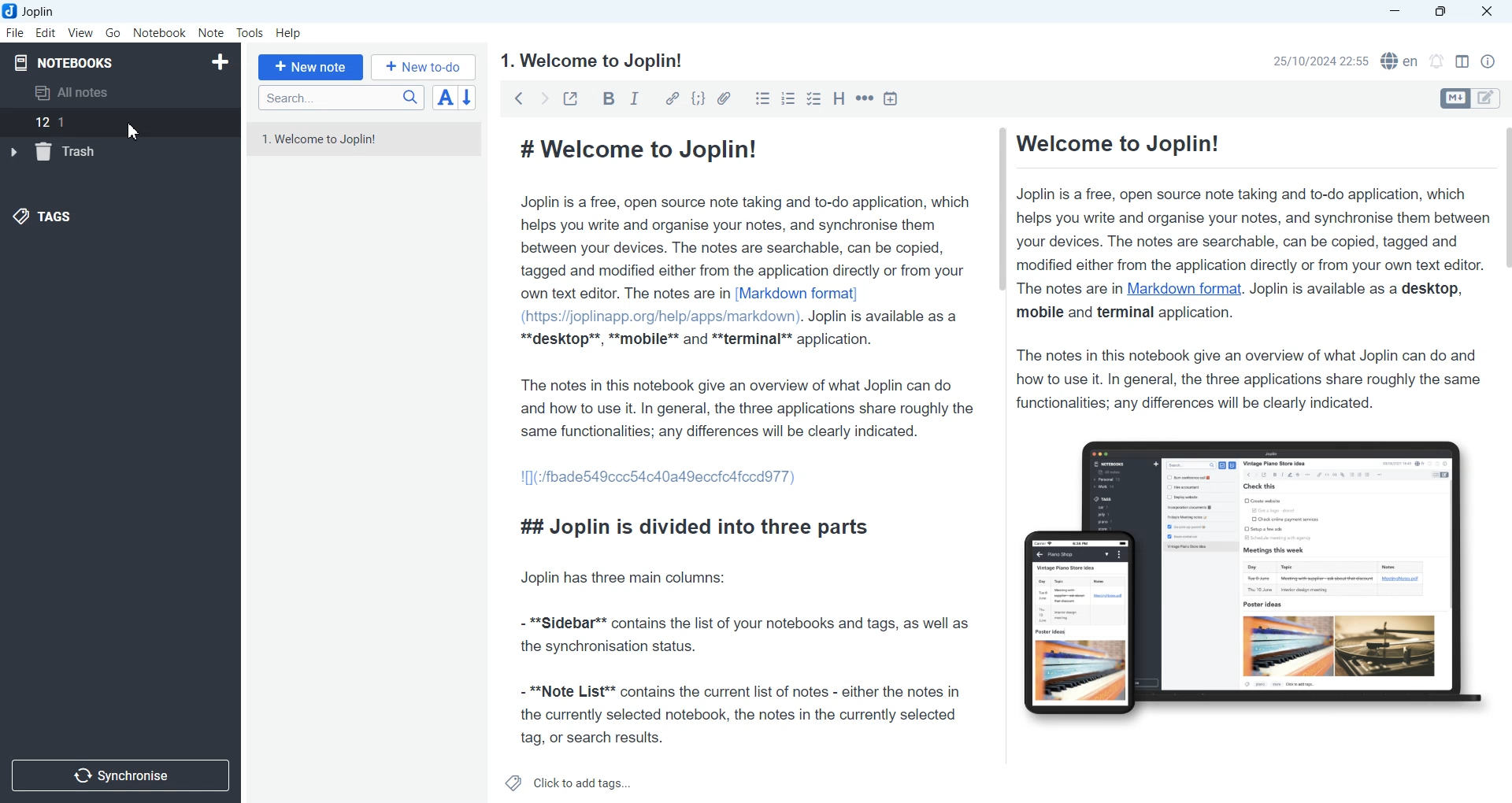 This screenshot has width=1512, height=803. Describe the element at coordinates (64, 62) in the screenshot. I see `Notebooks` at that location.